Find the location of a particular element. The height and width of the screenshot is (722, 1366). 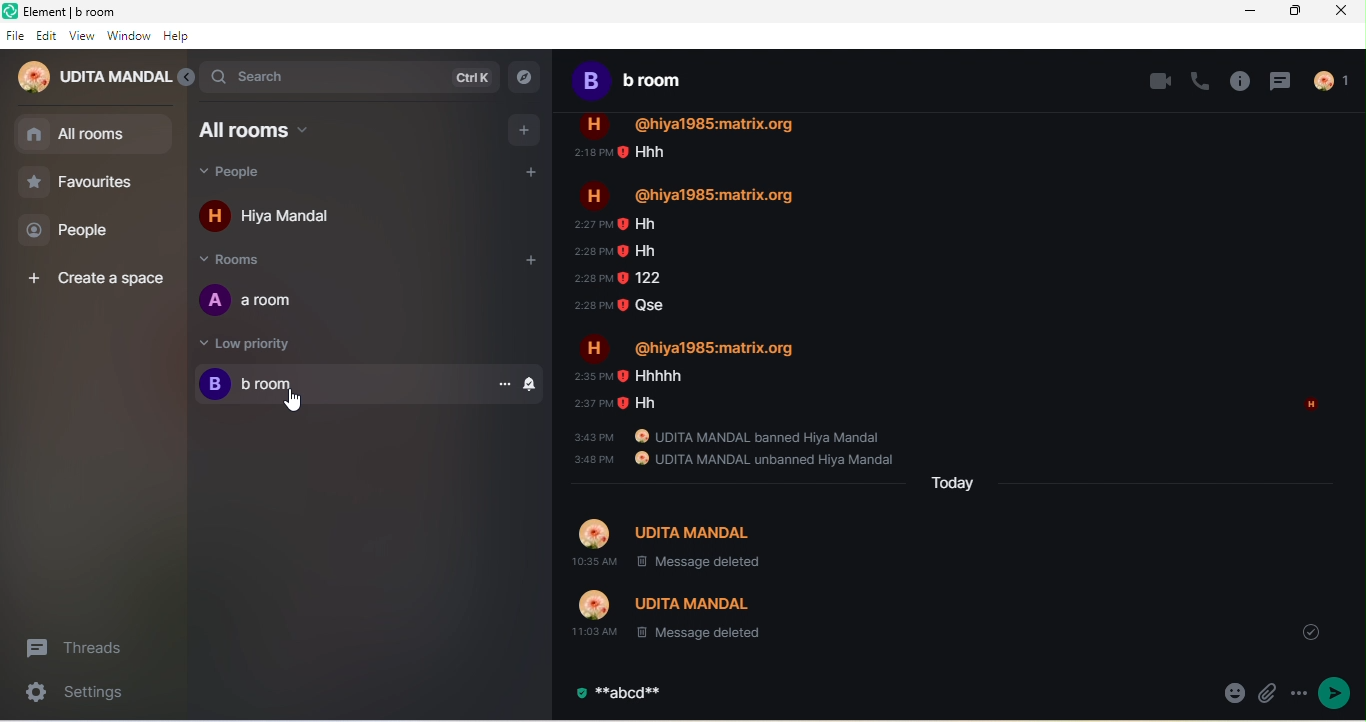

edit is located at coordinates (47, 38).